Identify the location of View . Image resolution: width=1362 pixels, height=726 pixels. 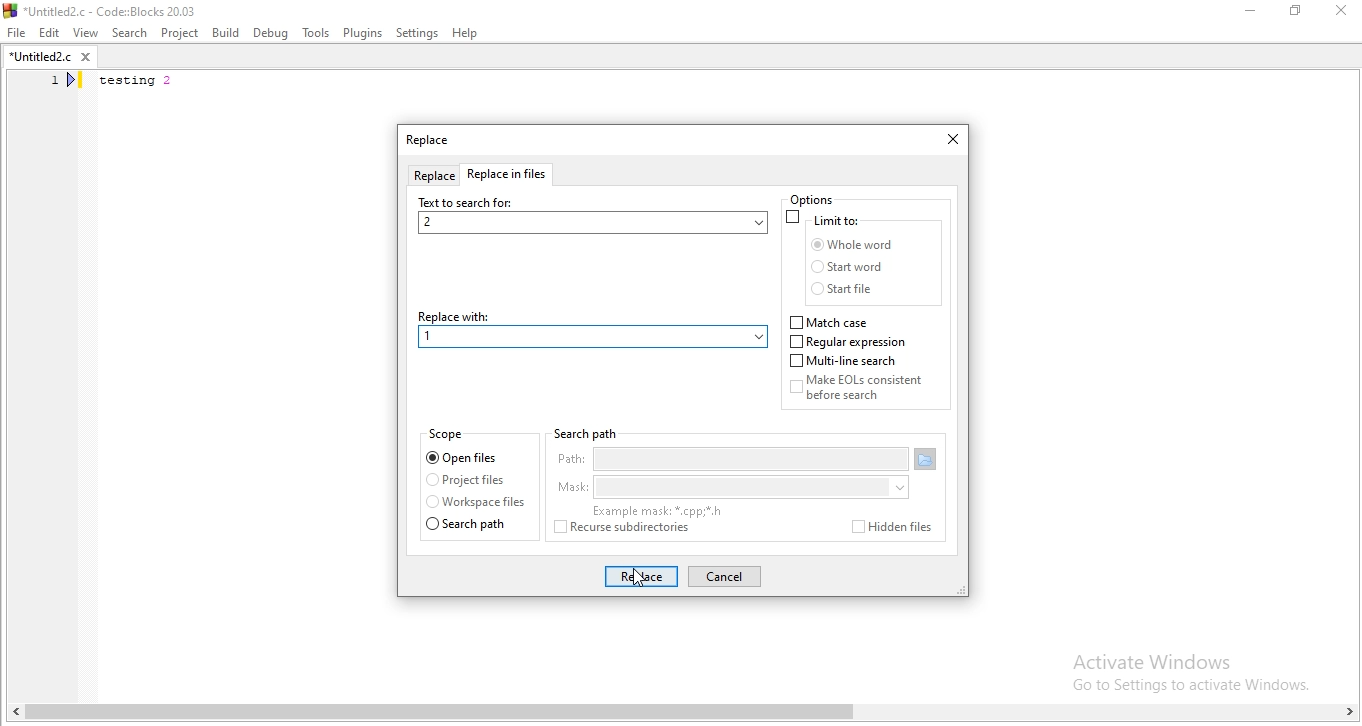
(85, 32).